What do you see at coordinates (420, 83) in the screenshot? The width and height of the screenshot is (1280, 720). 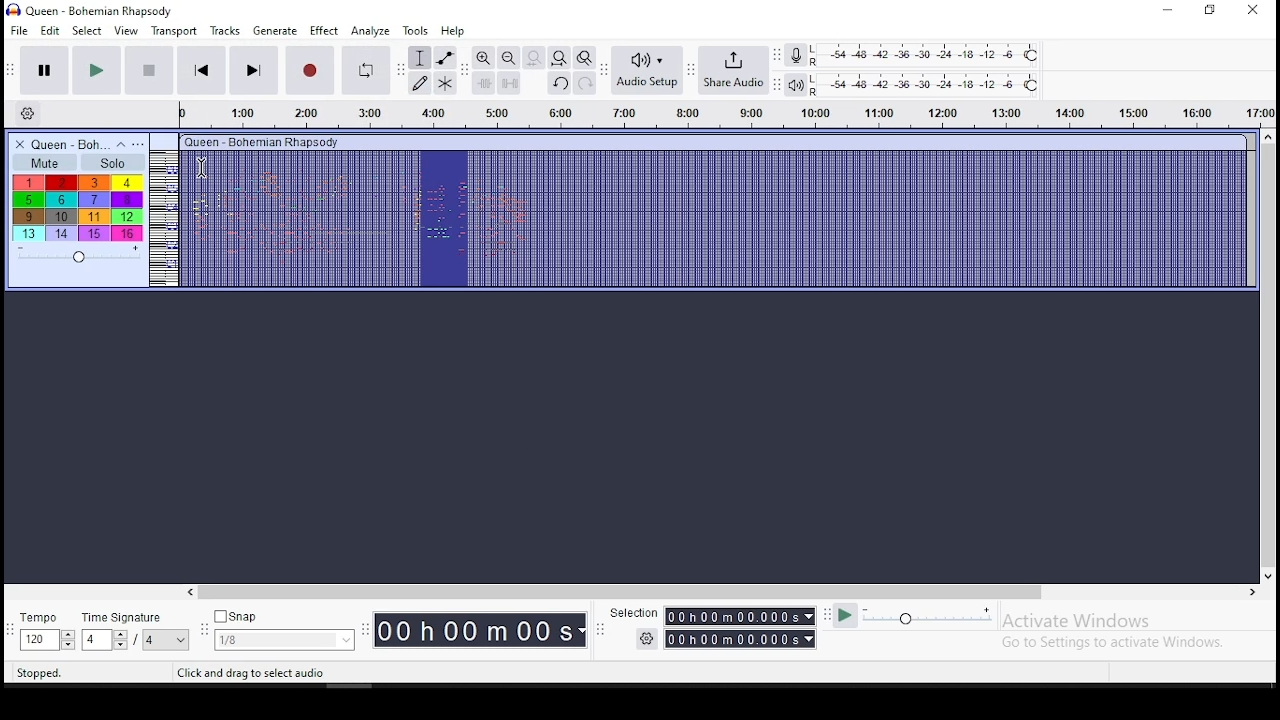 I see `draw tool` at bounding box center [420, 83].